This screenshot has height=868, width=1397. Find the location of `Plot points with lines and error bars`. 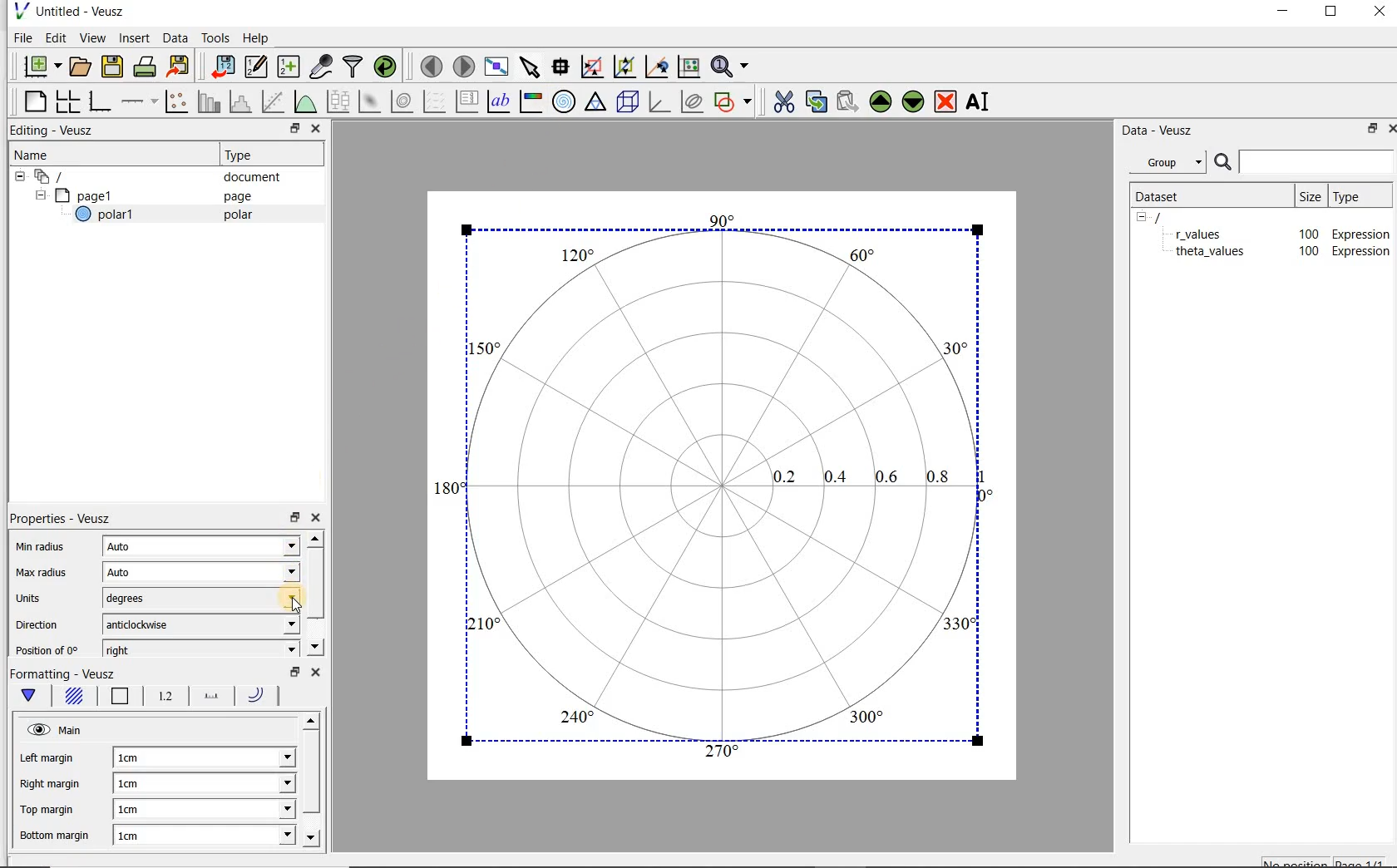

Plot points with lines and error bars is located at coordinates (178, 101).